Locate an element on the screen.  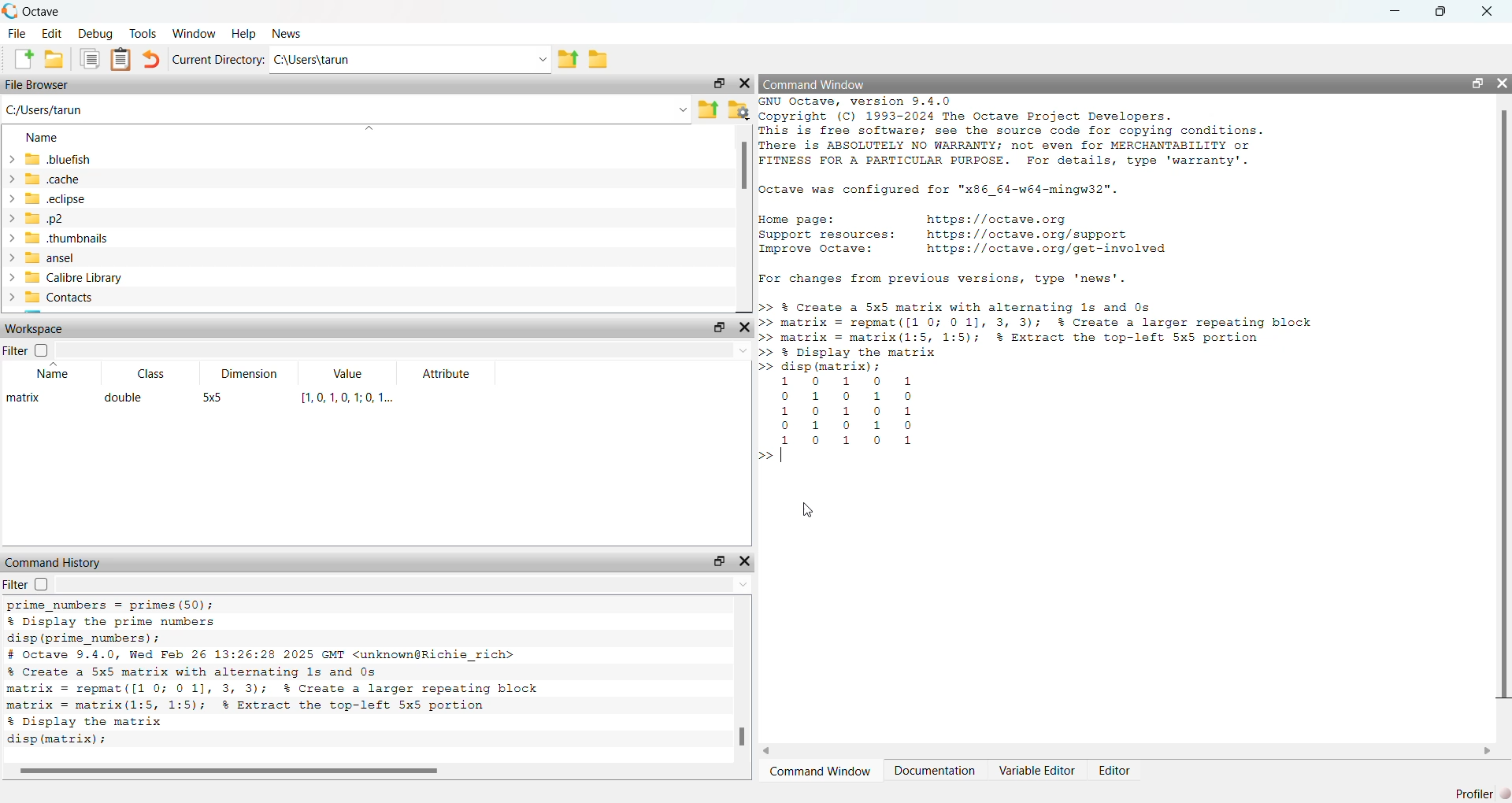
open in separate window is located at coordinates (721, 83).